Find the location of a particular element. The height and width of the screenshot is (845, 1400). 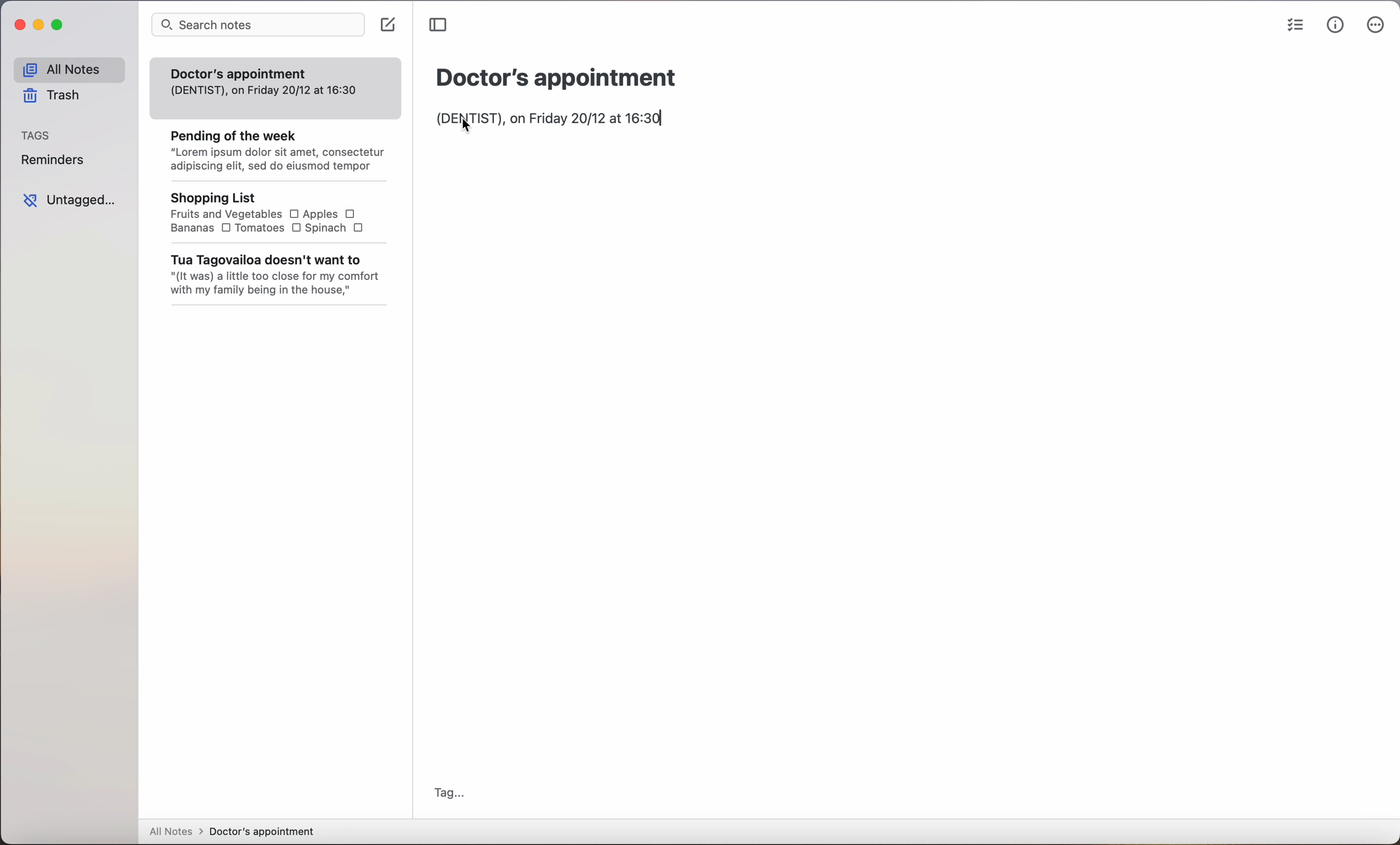

maximize is located at coordinates (60, 26).